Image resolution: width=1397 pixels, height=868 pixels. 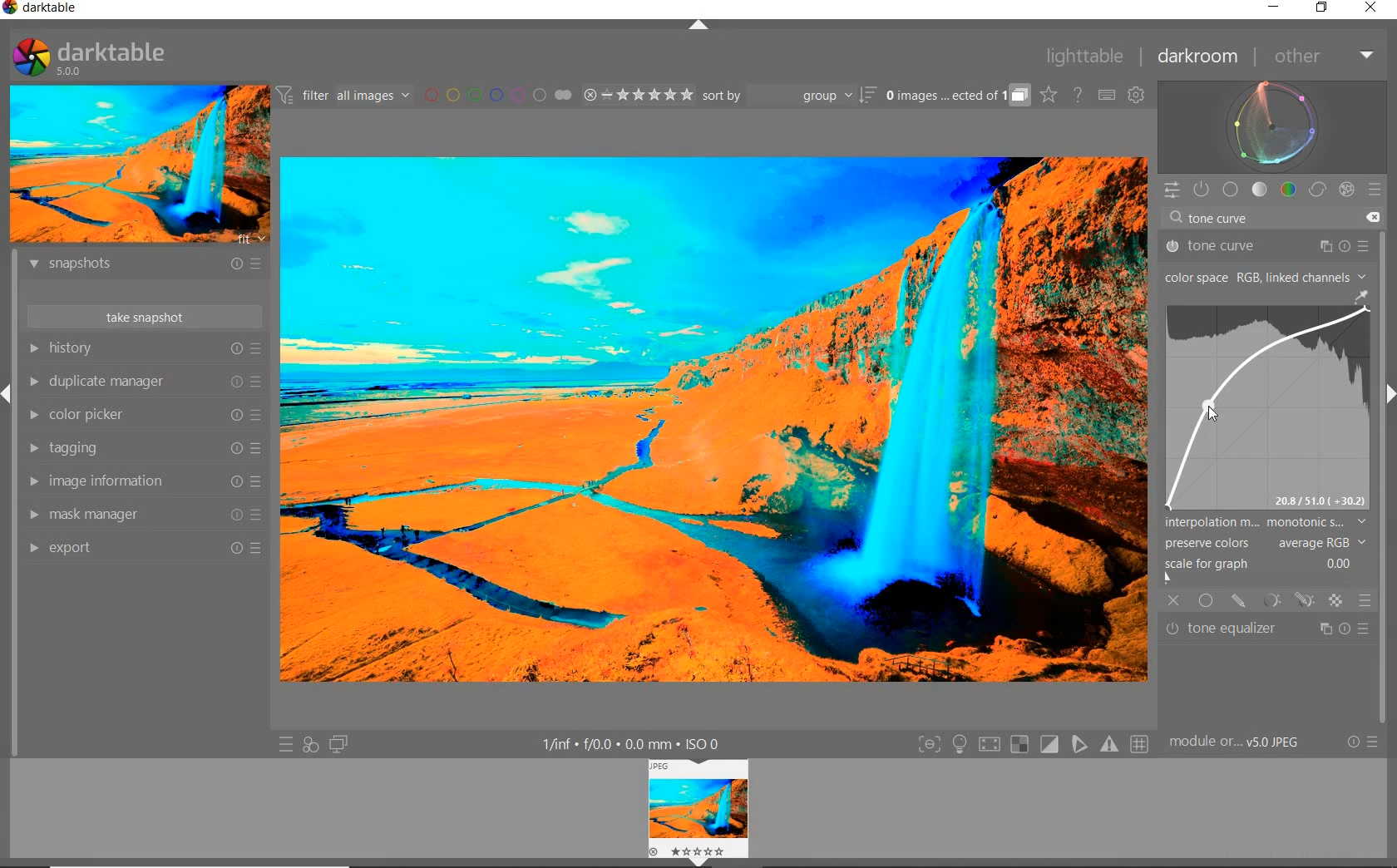 What do you see at coordinates (1211, 407) in the screenshot?
I see `CURSOR` at bounding box center [1211, 407].